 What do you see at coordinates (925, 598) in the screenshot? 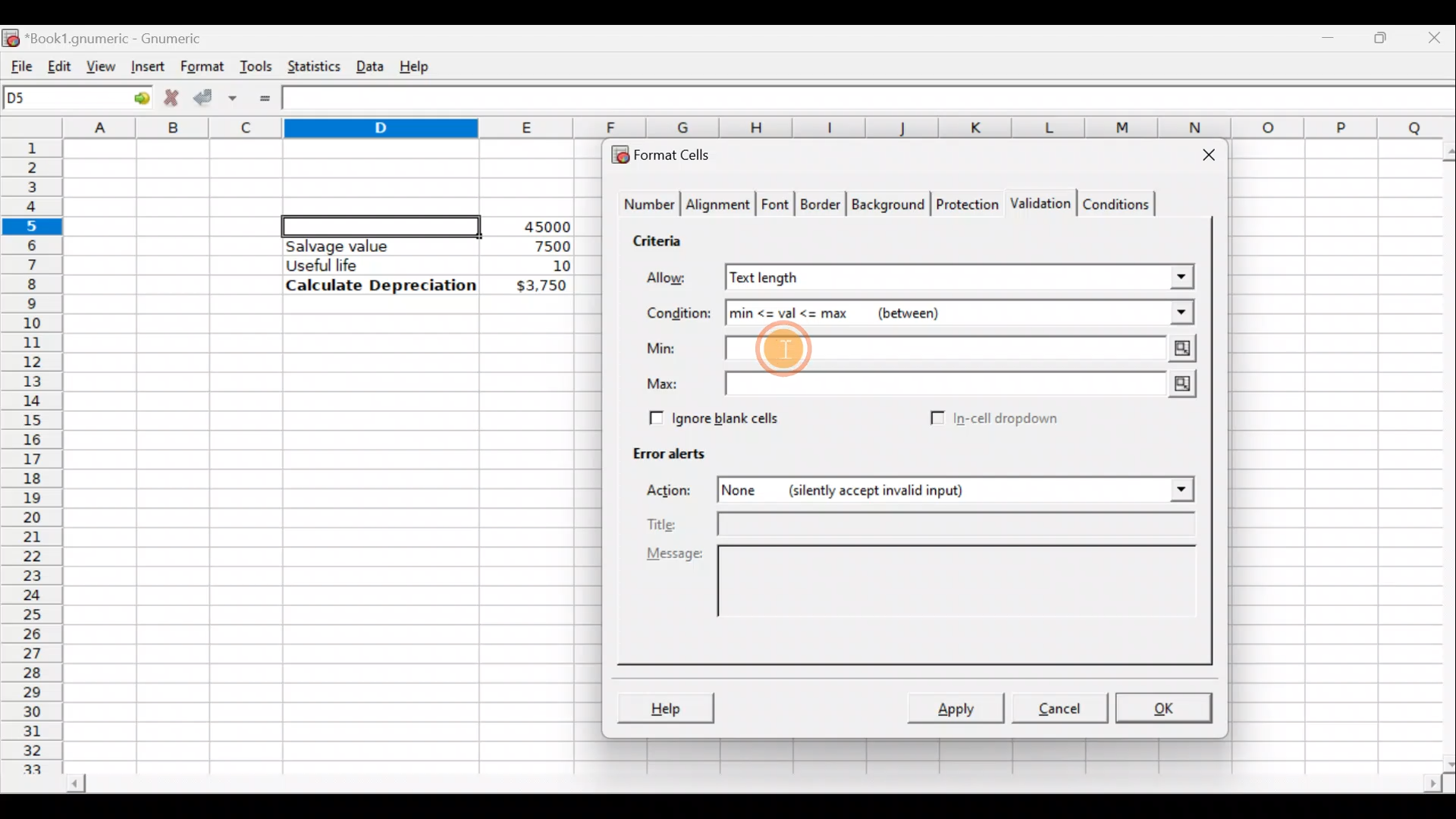
I see `Message` at bounding box center [925, 598].